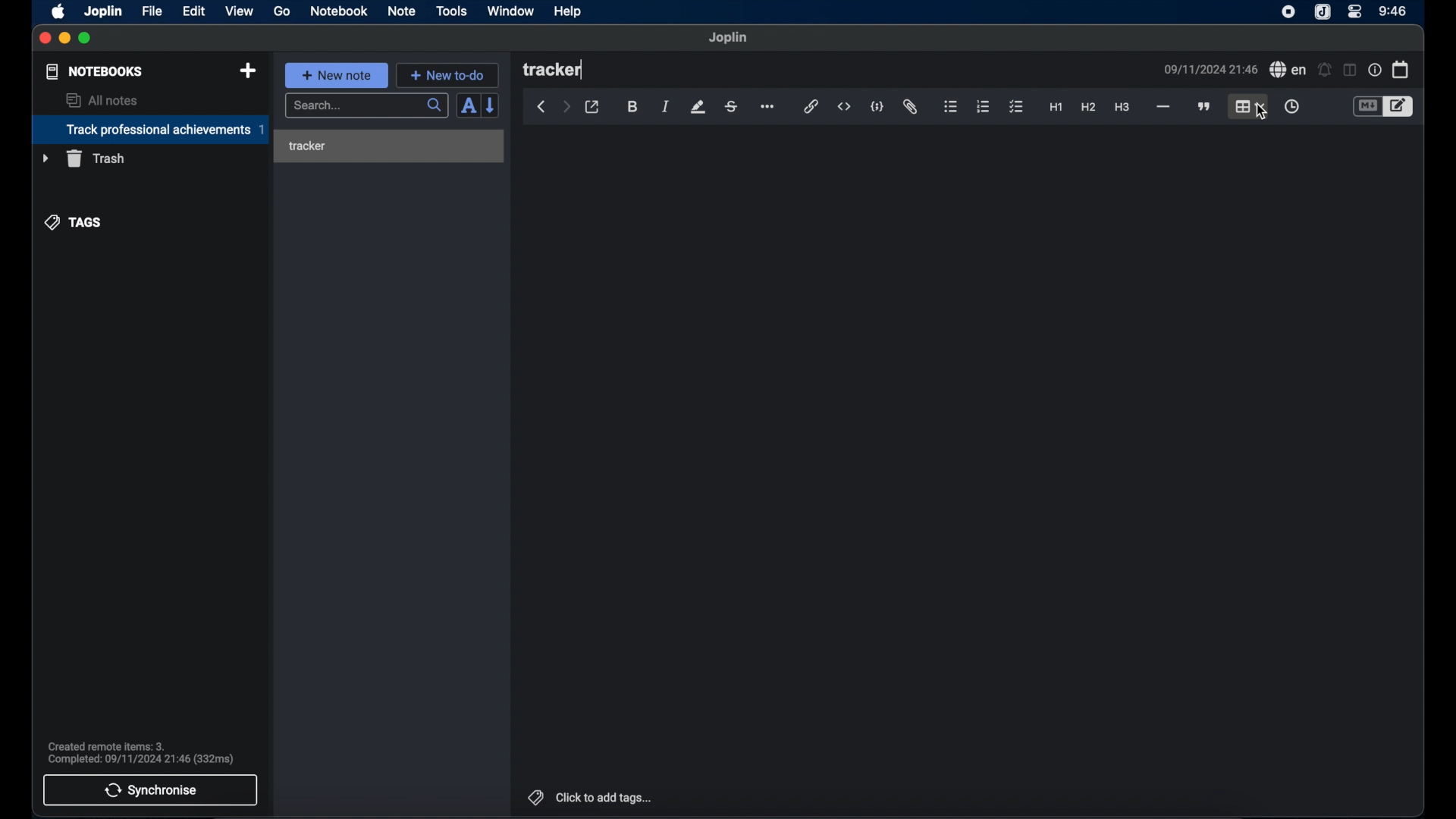  Describe the element at coordinates (401, 11) in the screenshot. I see `note` at that location.